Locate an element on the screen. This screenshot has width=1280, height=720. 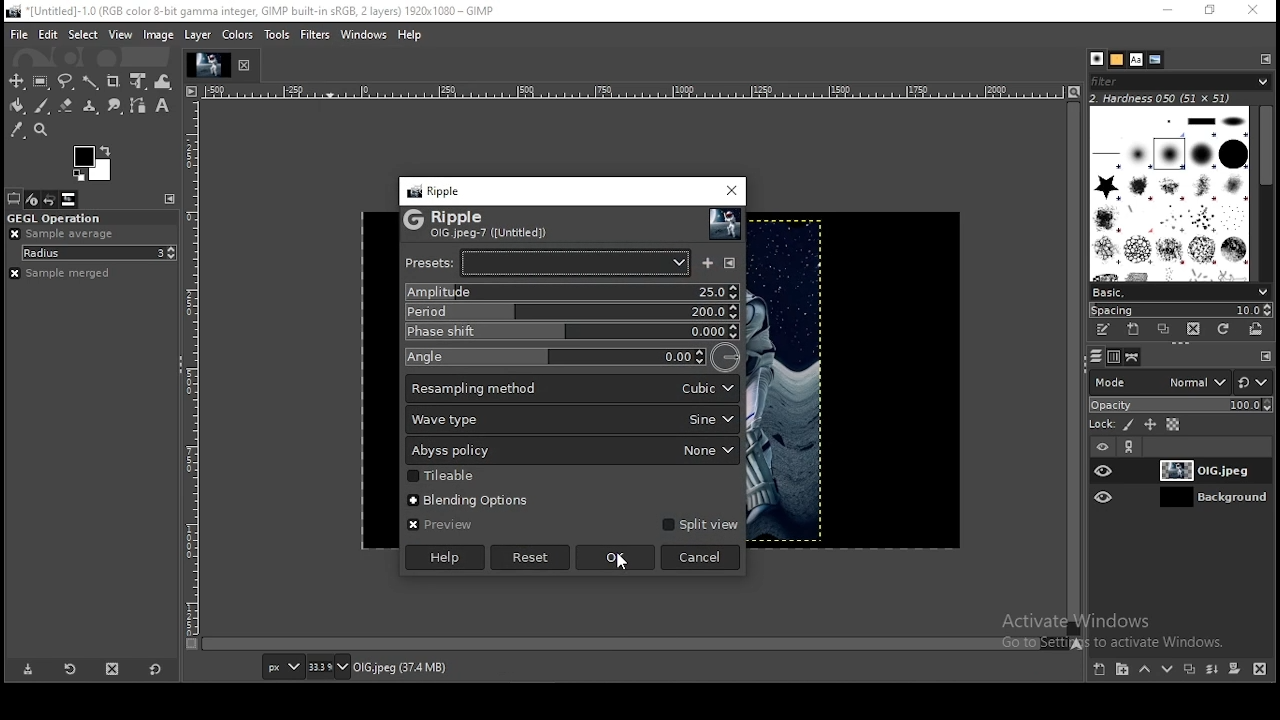
scroll bar is located at coordinates (634, 644).